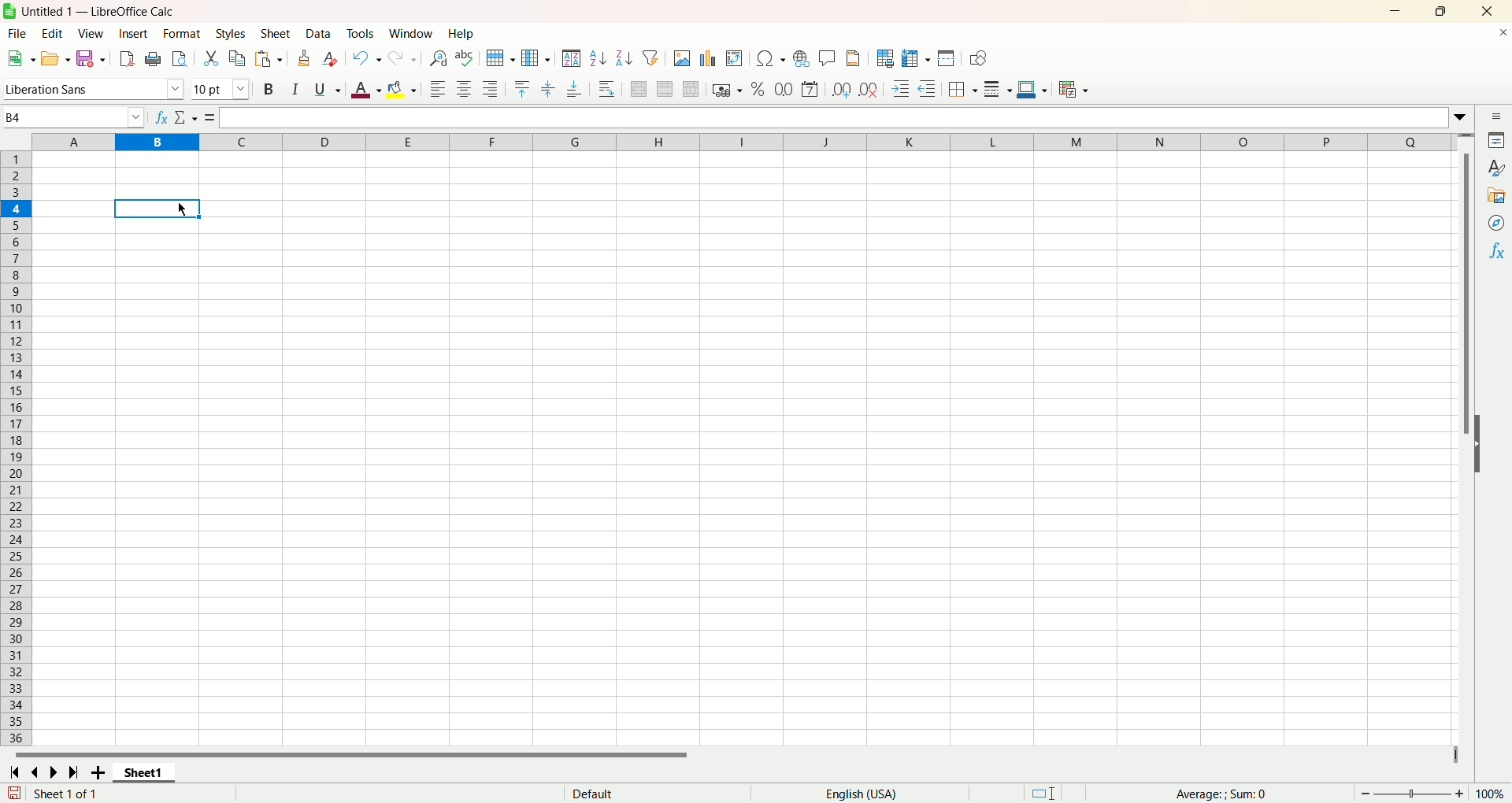  What do you see at coordinates (14, 793) in the screenshot?
I see `save` at bounding box center [14, 793].